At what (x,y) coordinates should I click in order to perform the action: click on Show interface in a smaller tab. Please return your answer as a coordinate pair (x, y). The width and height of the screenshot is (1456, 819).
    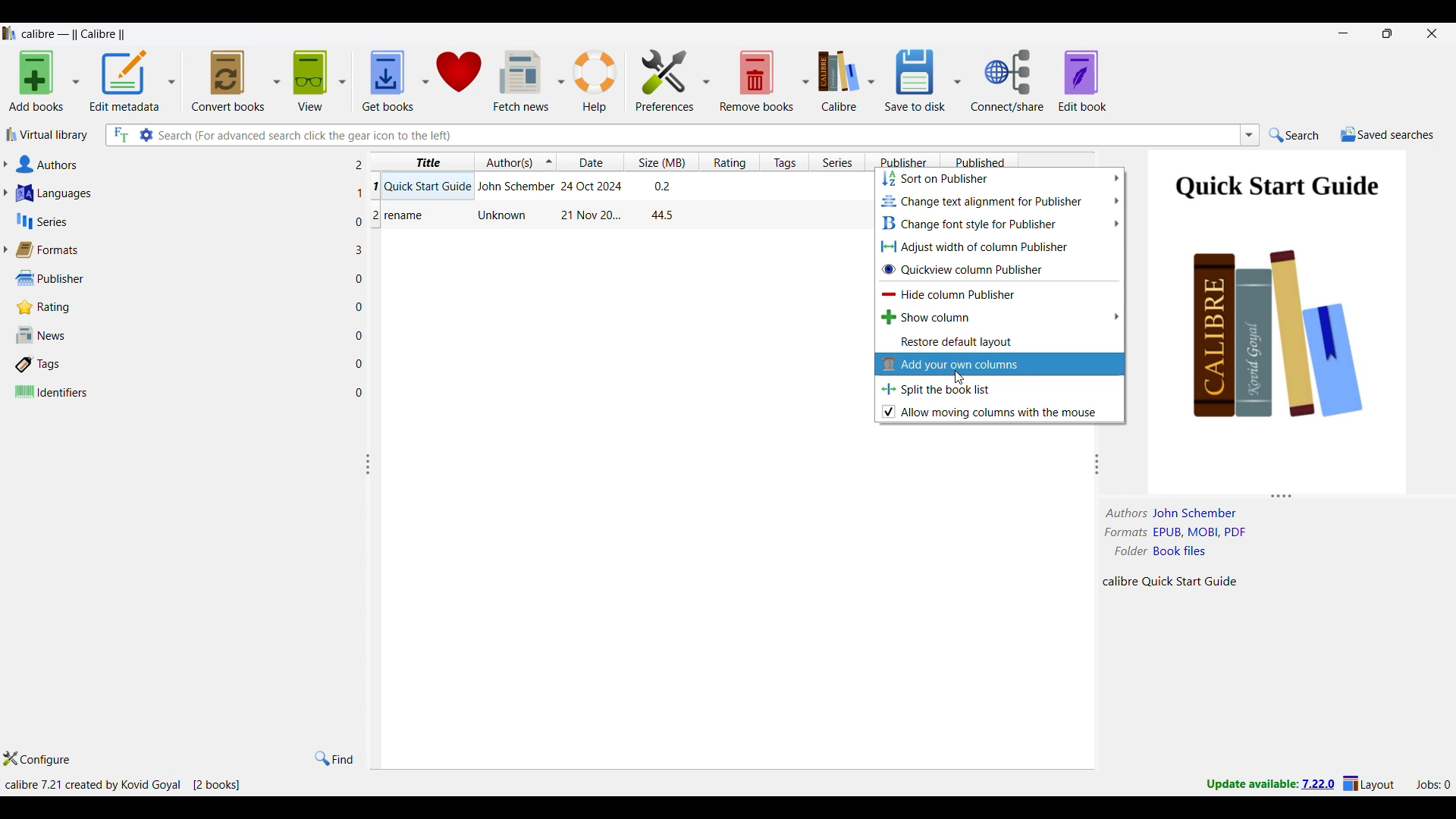
    Looking at the image, I should click on (1389, 33).